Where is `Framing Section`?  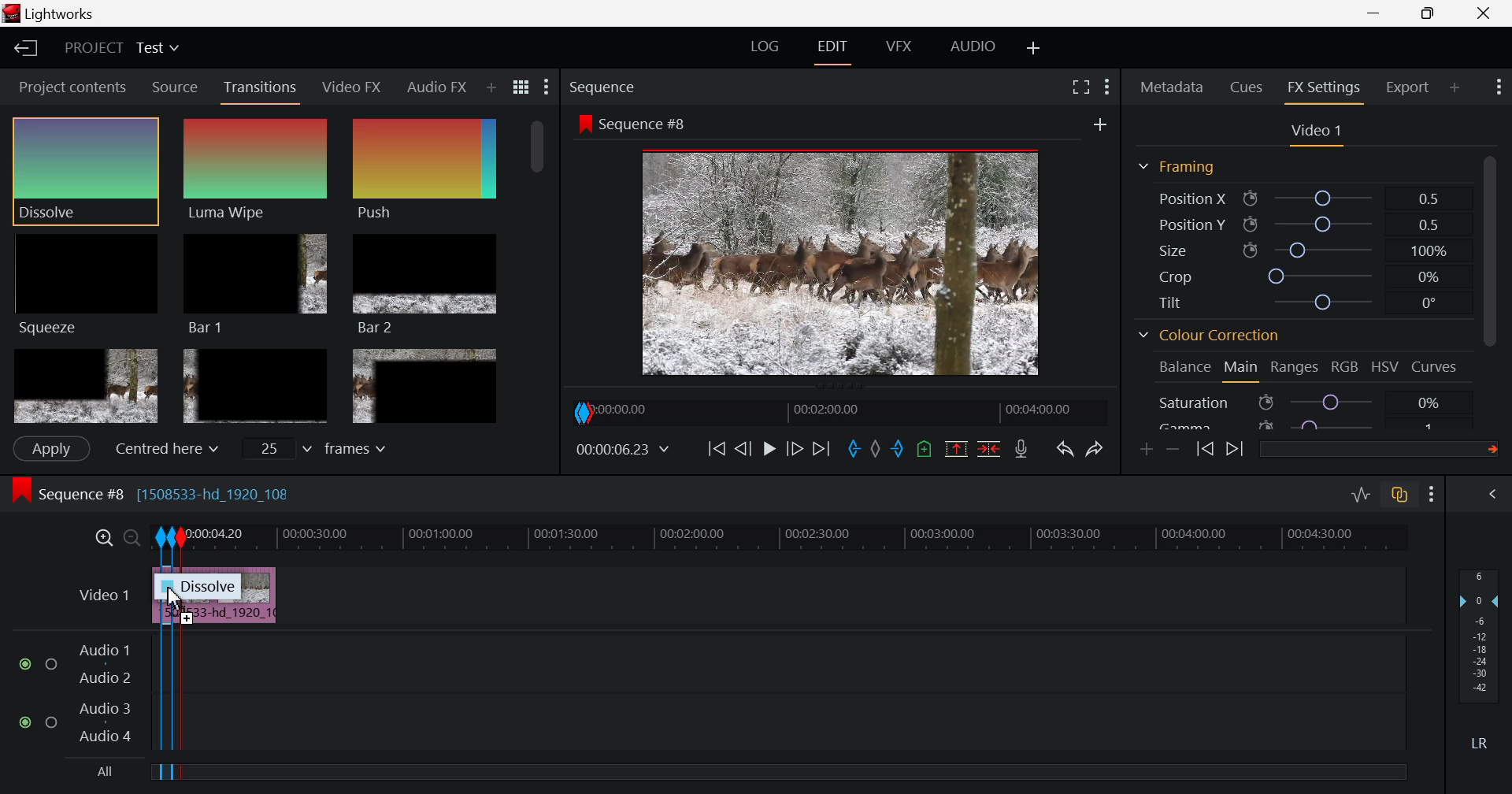
Framing Section is located at coordinates (1177, 168).